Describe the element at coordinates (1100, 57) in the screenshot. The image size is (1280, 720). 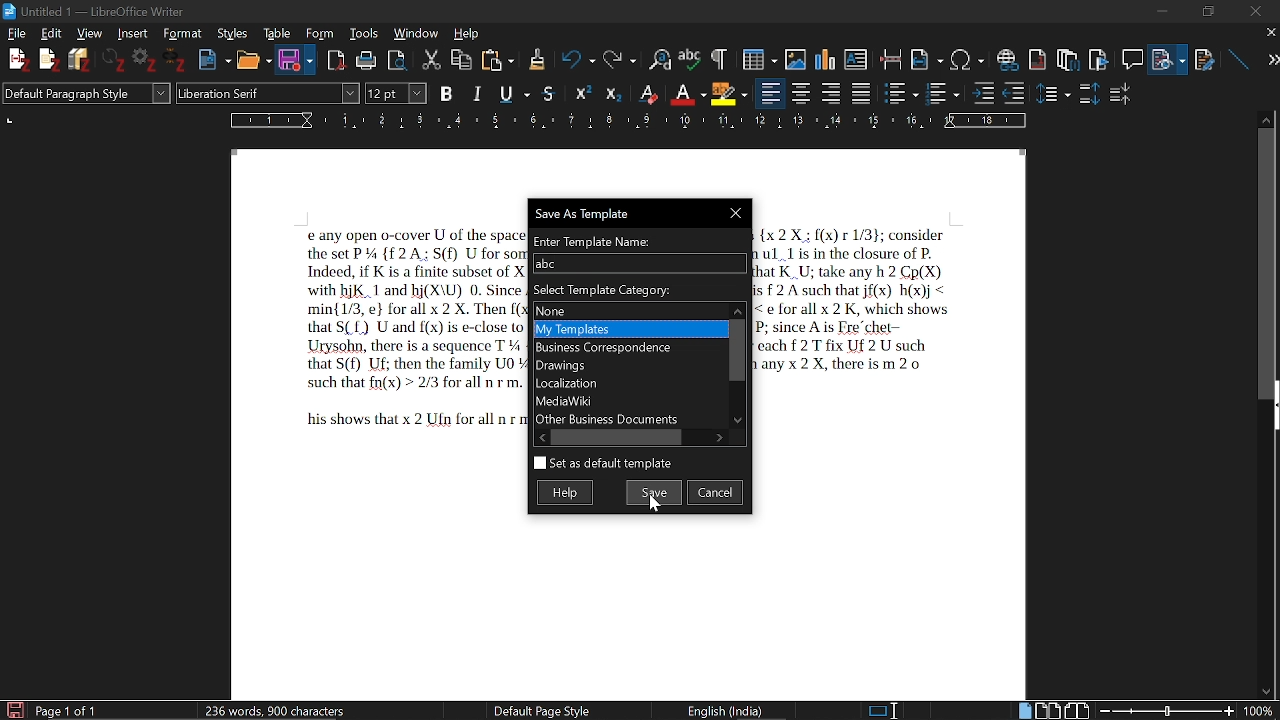
I see `insert bookmark` at that location.